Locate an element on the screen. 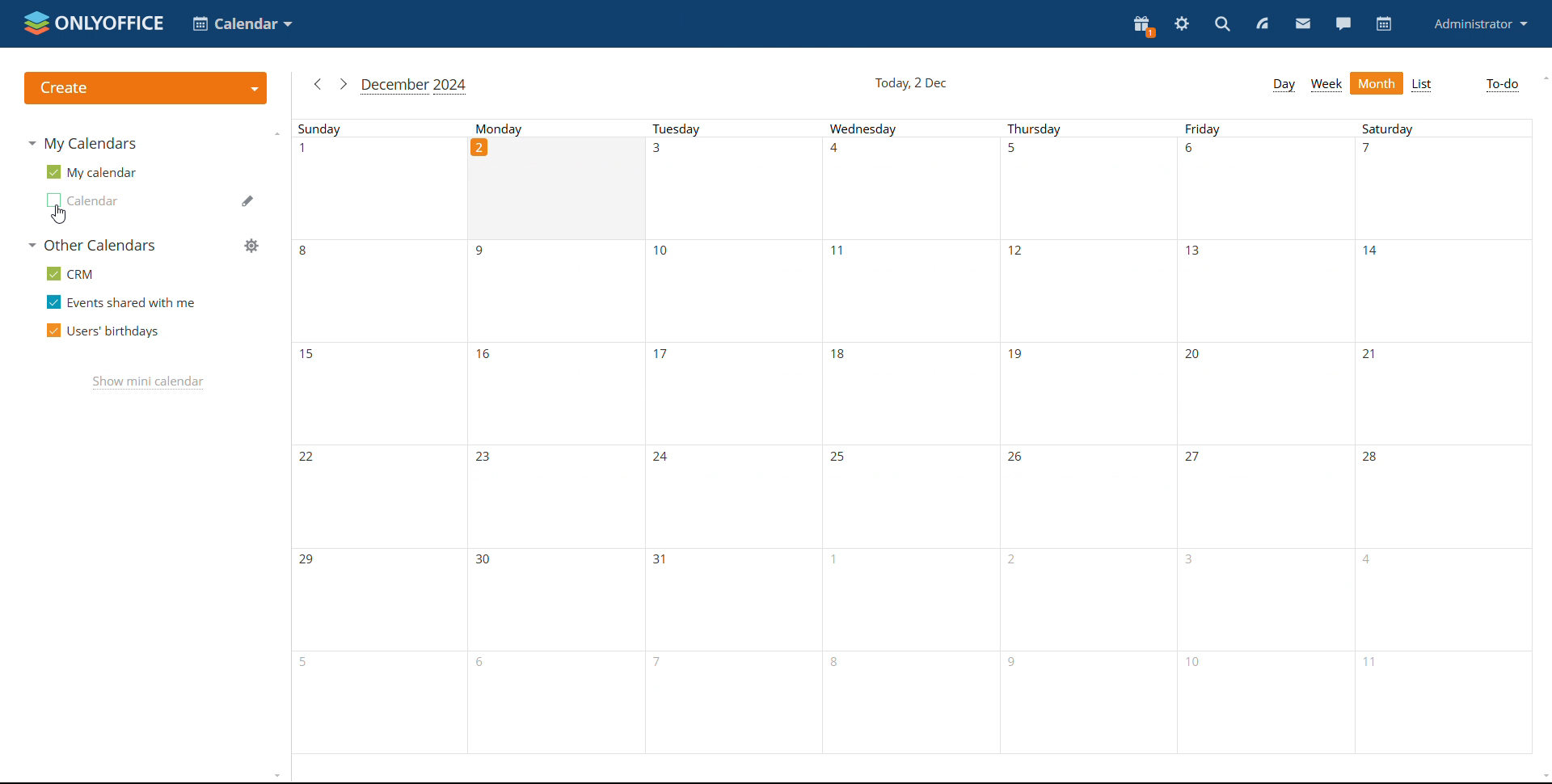 Image resolution: width=1552 pixels, height=784 pixels. calendar is located at coordinates (1385, 24).